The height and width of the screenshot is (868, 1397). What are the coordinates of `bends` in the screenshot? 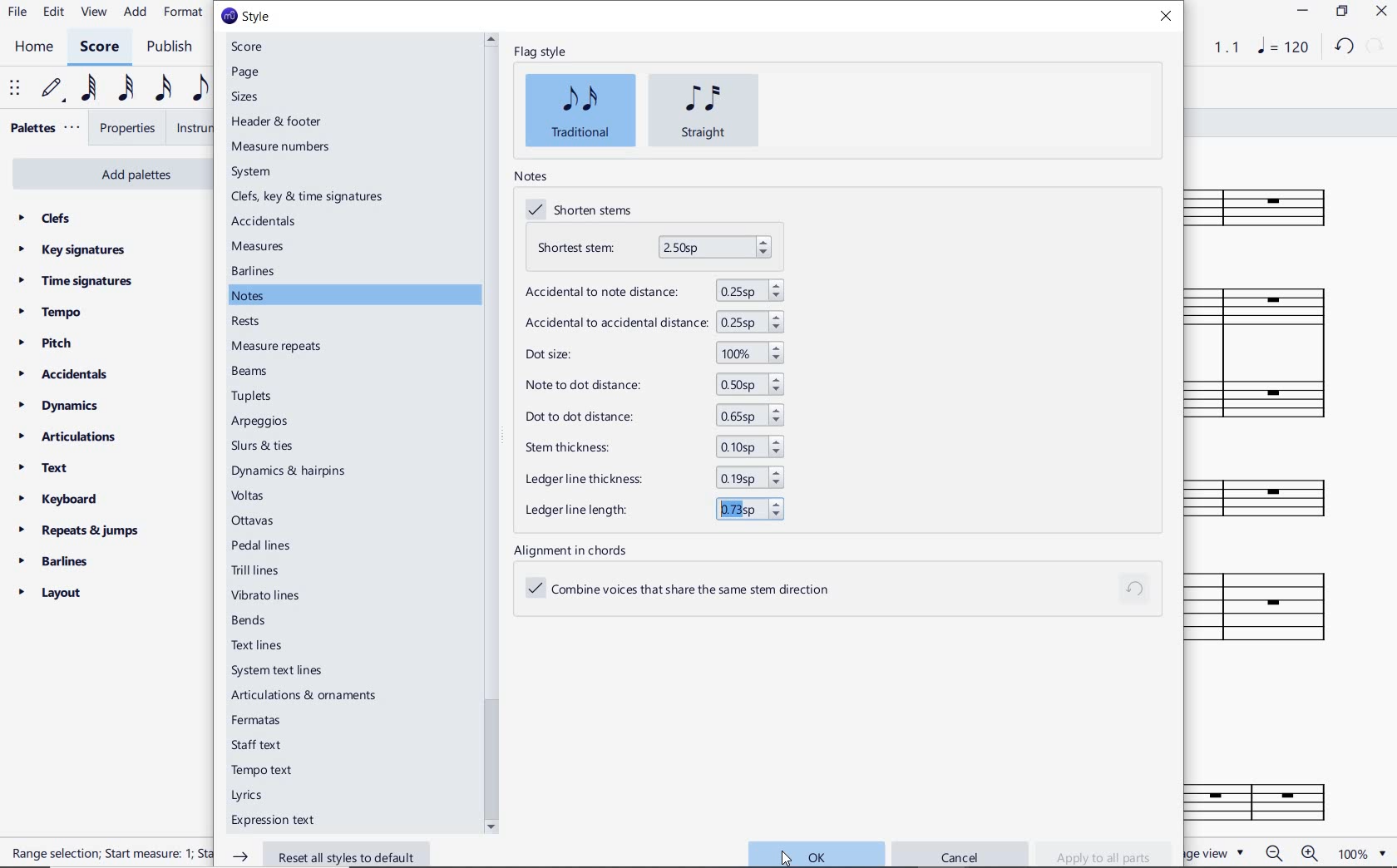 It's located at (253, 619).